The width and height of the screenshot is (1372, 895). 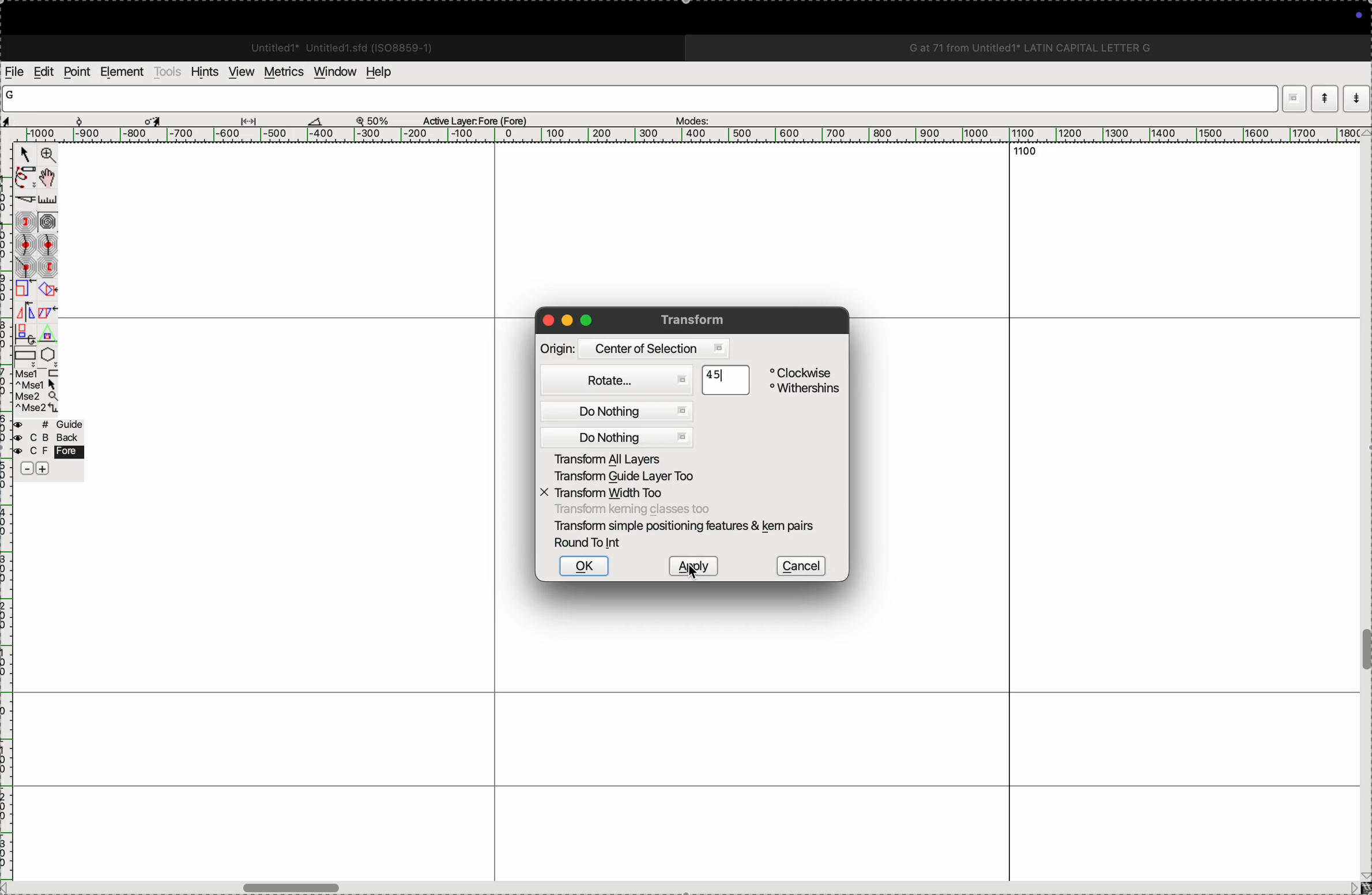 I want to click on ruler, so click(x=47, y=200).